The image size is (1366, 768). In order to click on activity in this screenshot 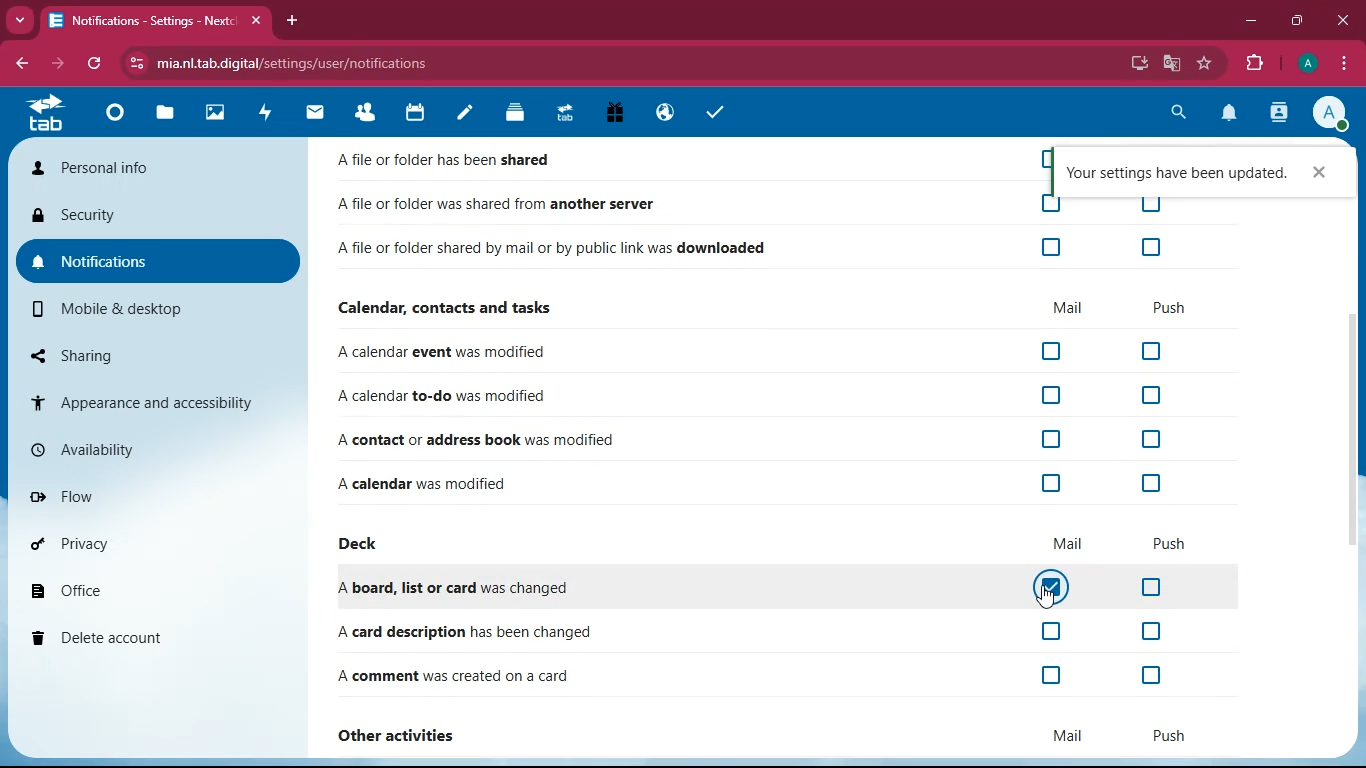, I will do `click(268, 115)`.